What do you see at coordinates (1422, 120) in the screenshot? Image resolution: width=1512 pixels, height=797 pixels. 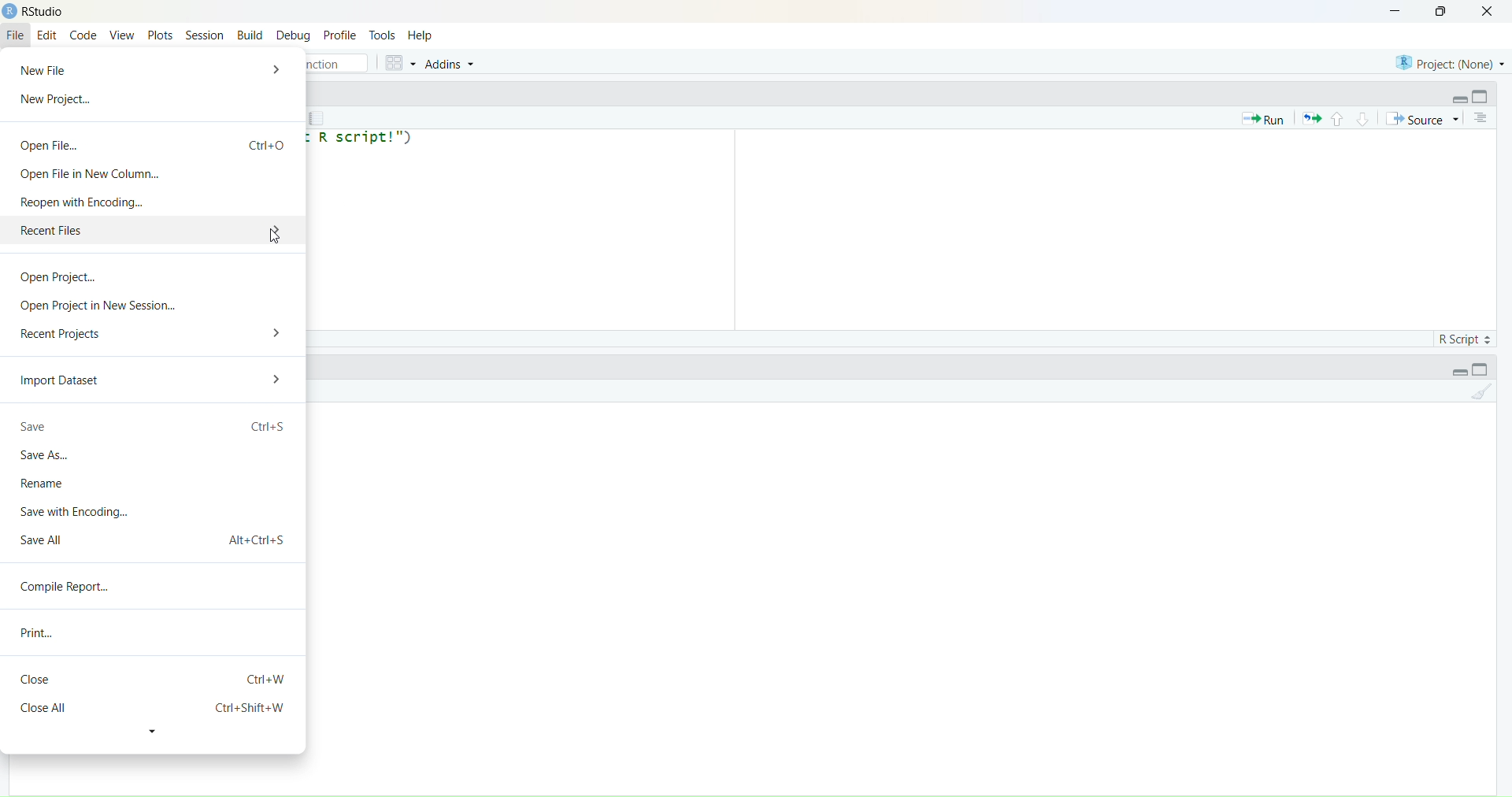 I see `Source the contents of the active document` at bounding box center [1422, 120].